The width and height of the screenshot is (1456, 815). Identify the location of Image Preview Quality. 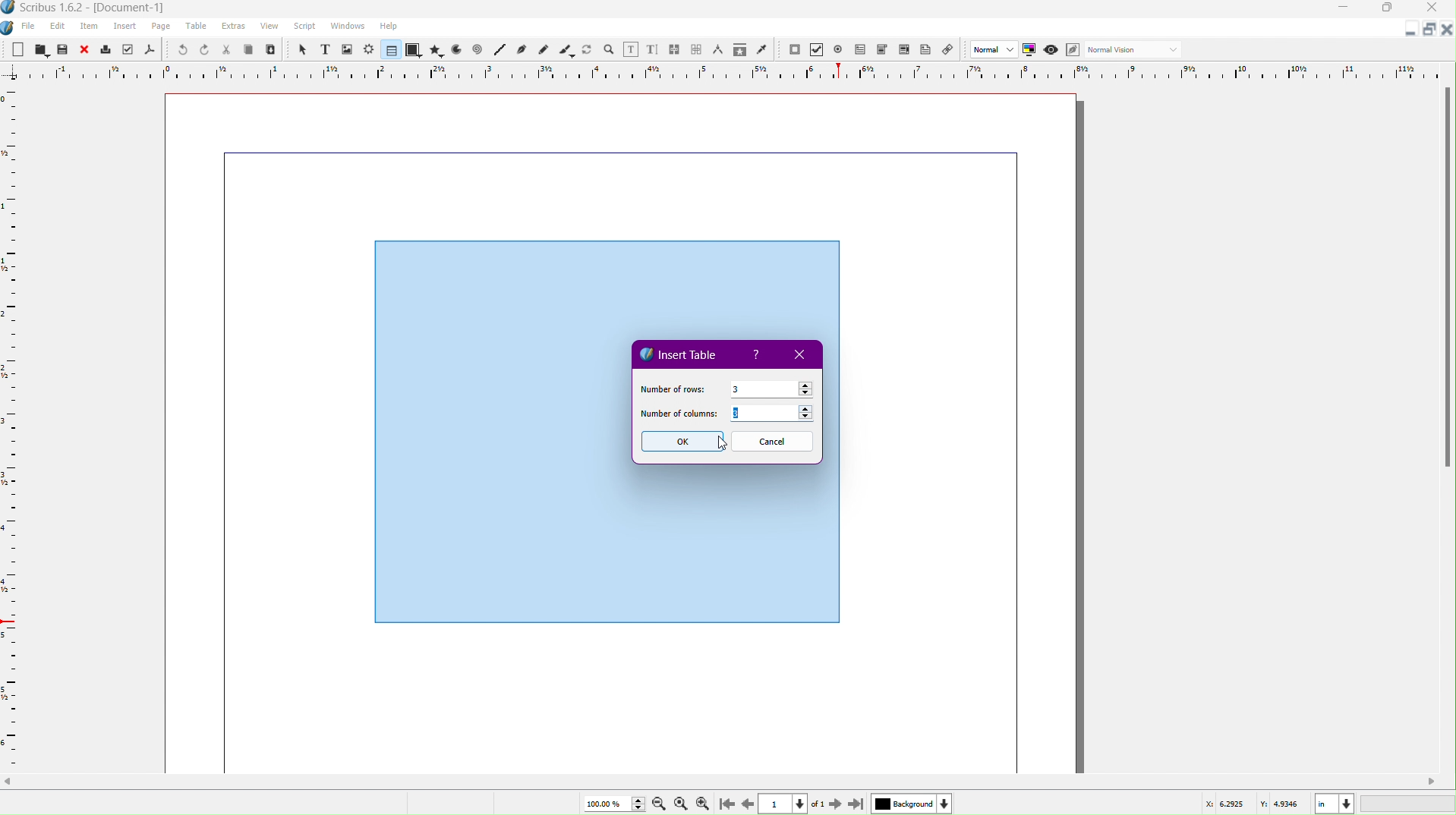
(994, 49).